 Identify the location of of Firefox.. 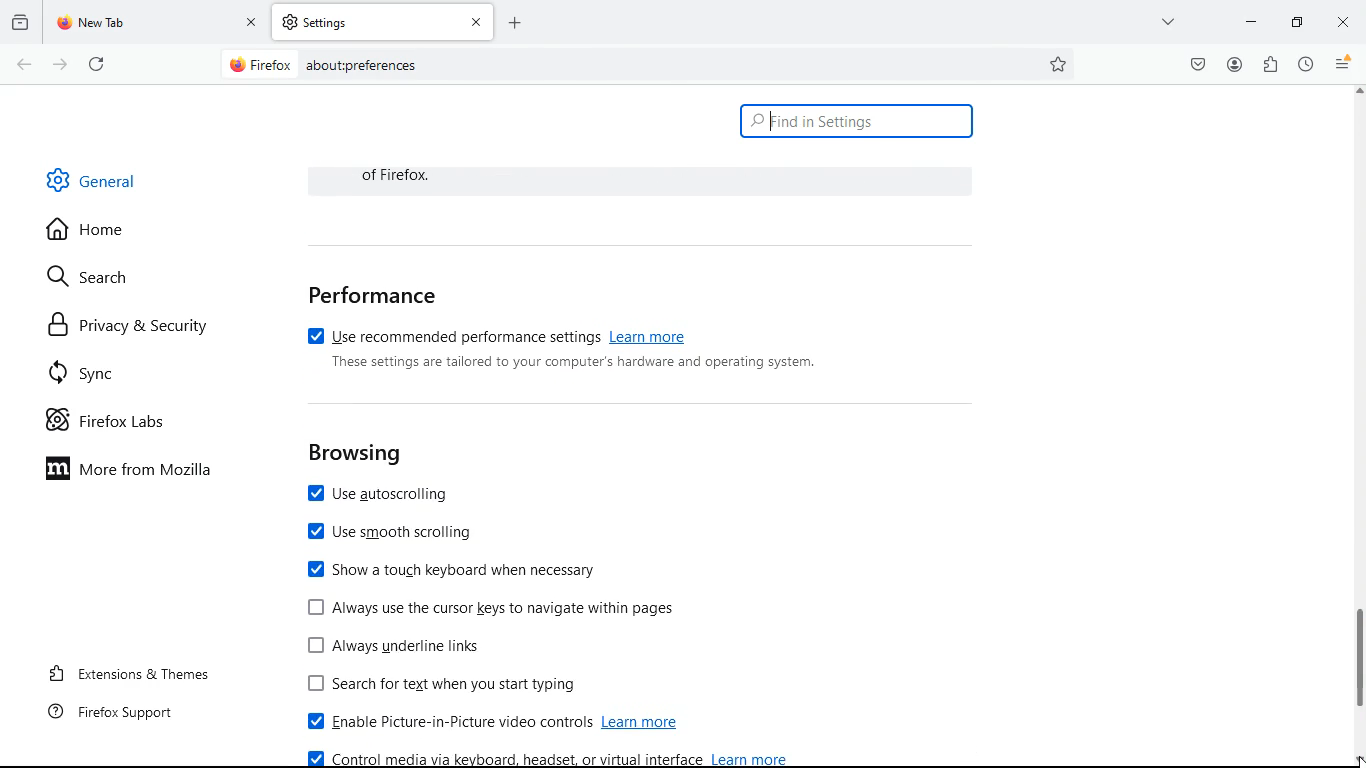
(407, 175).